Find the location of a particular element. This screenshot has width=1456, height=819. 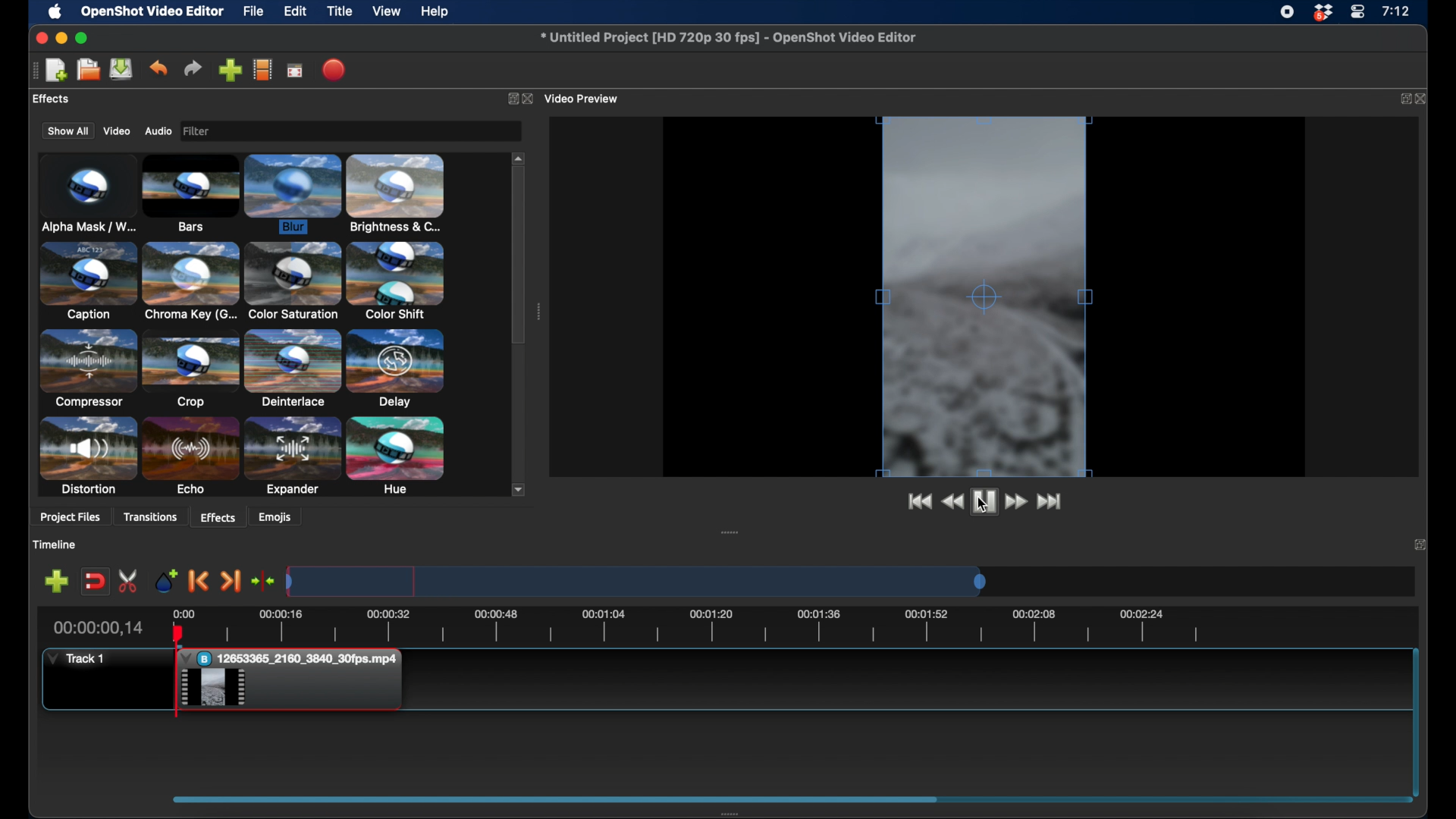

fast forward is located at coordinates (1018, 502).